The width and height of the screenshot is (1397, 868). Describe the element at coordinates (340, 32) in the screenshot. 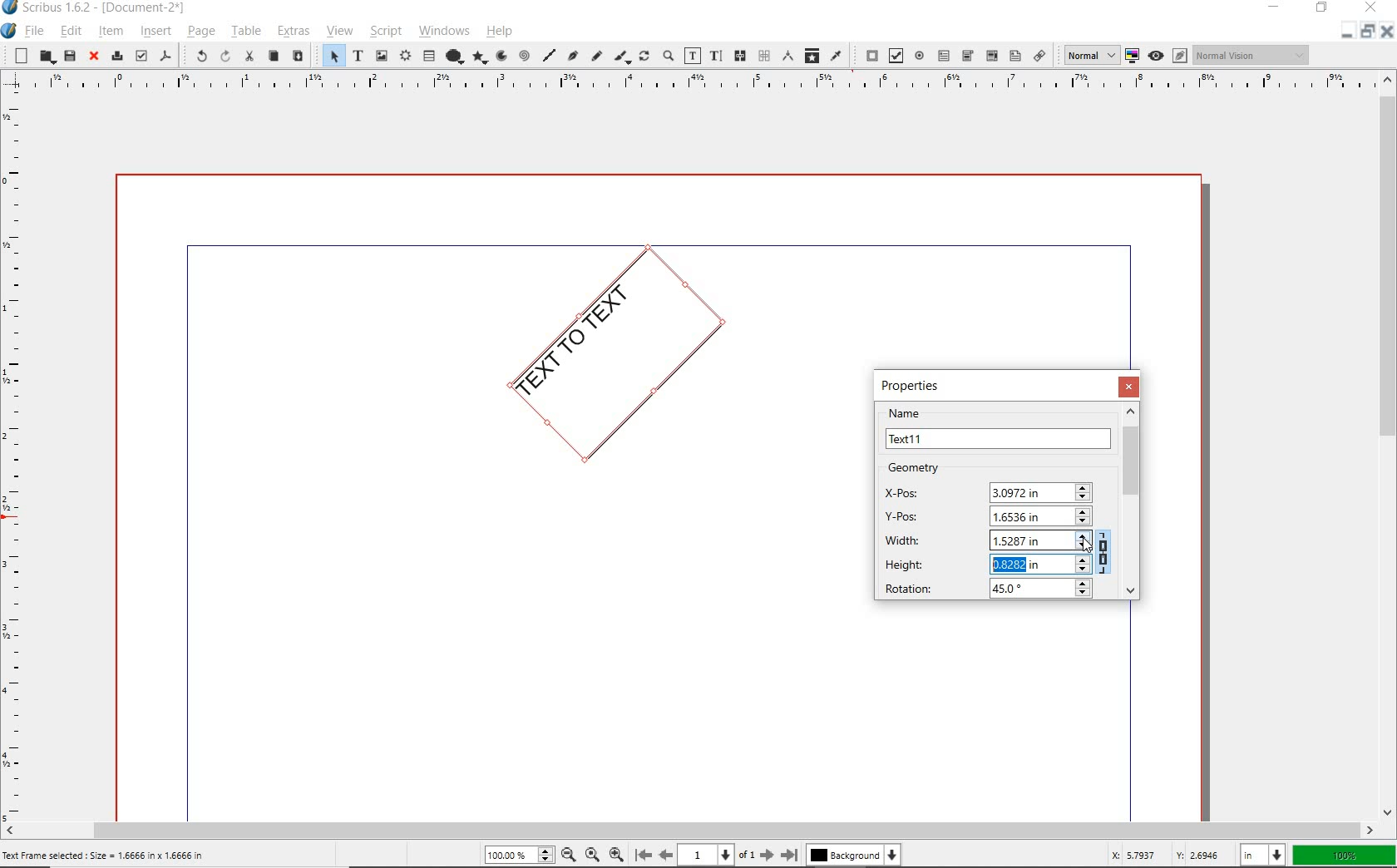

I see `view` at that location.